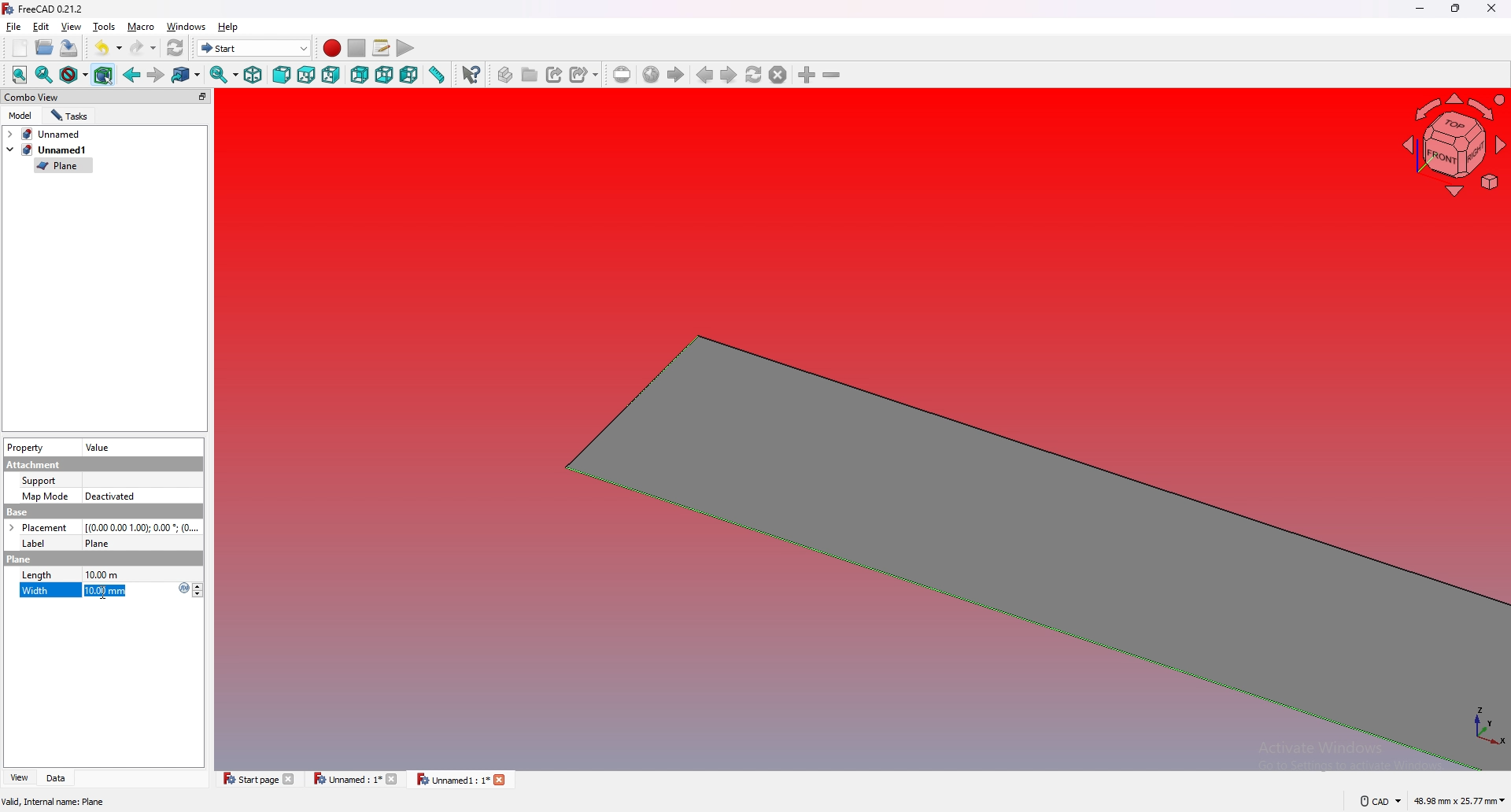  I want to click on zoom out, so click(831, 74).